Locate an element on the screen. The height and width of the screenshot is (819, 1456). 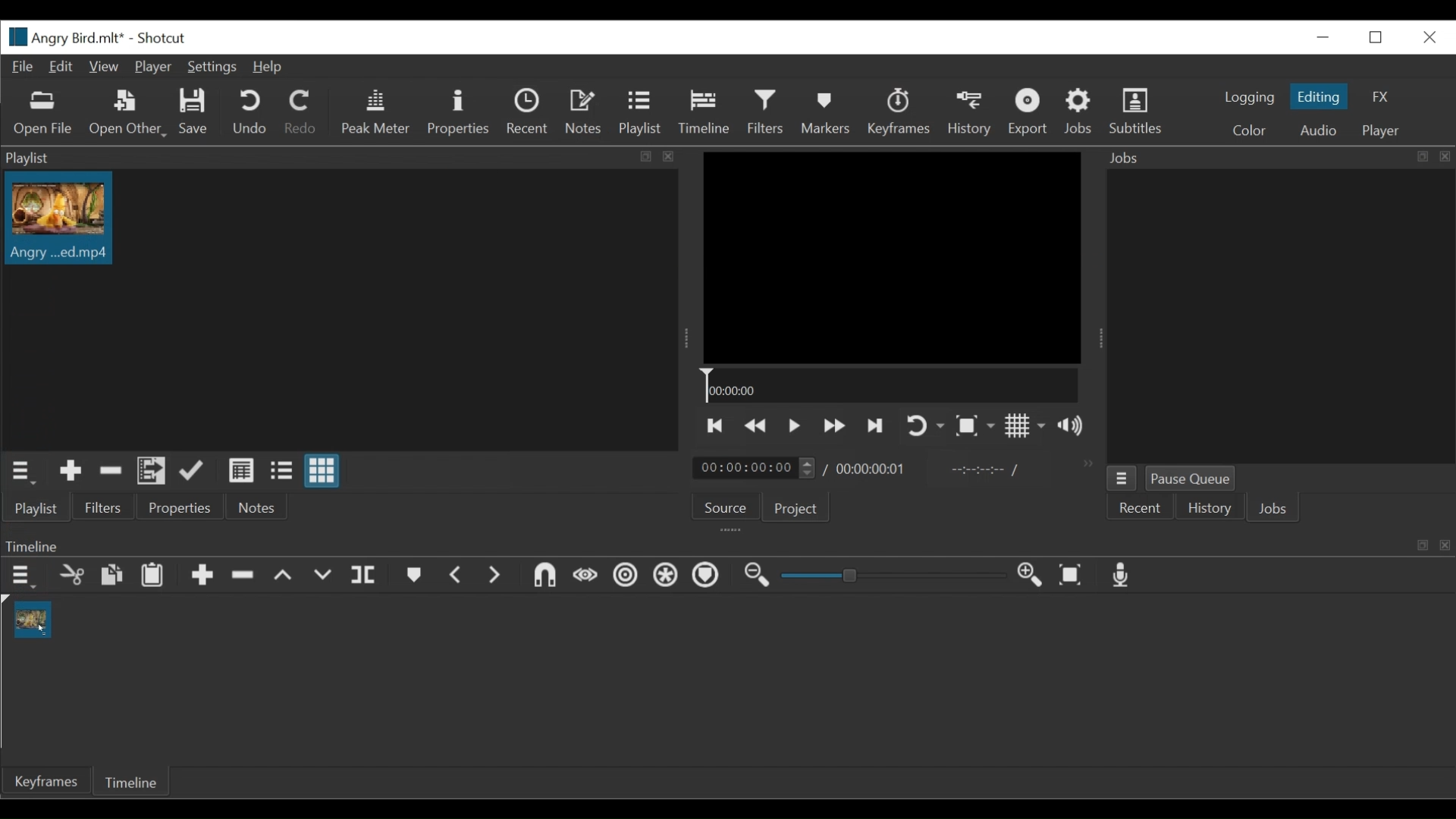
Clip is located at coordinates (30, 620).